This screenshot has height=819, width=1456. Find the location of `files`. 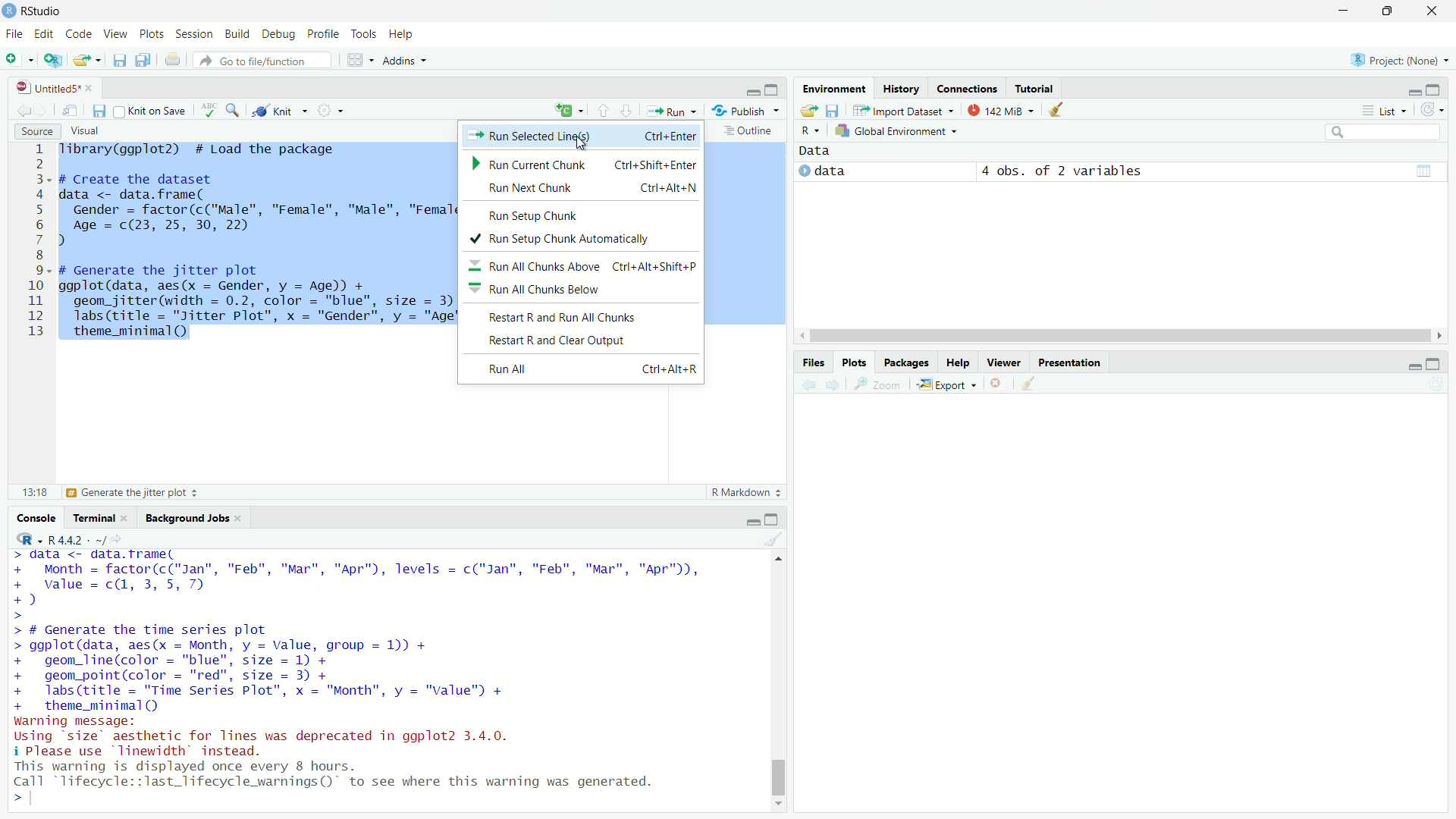

files is located at coordinates (814, 361).